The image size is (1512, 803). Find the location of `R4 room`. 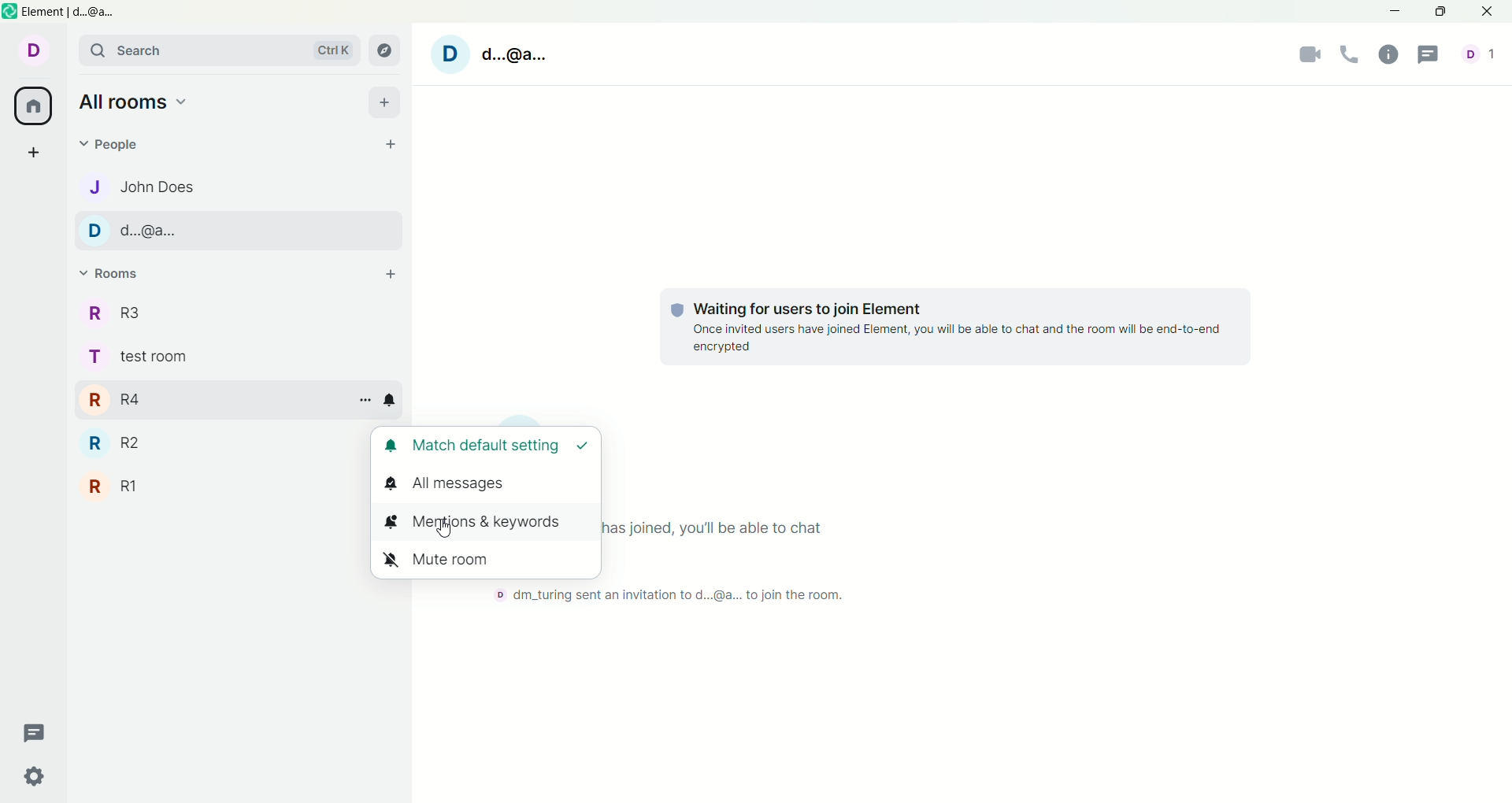

R4 room is located at coordinates (214, 400).